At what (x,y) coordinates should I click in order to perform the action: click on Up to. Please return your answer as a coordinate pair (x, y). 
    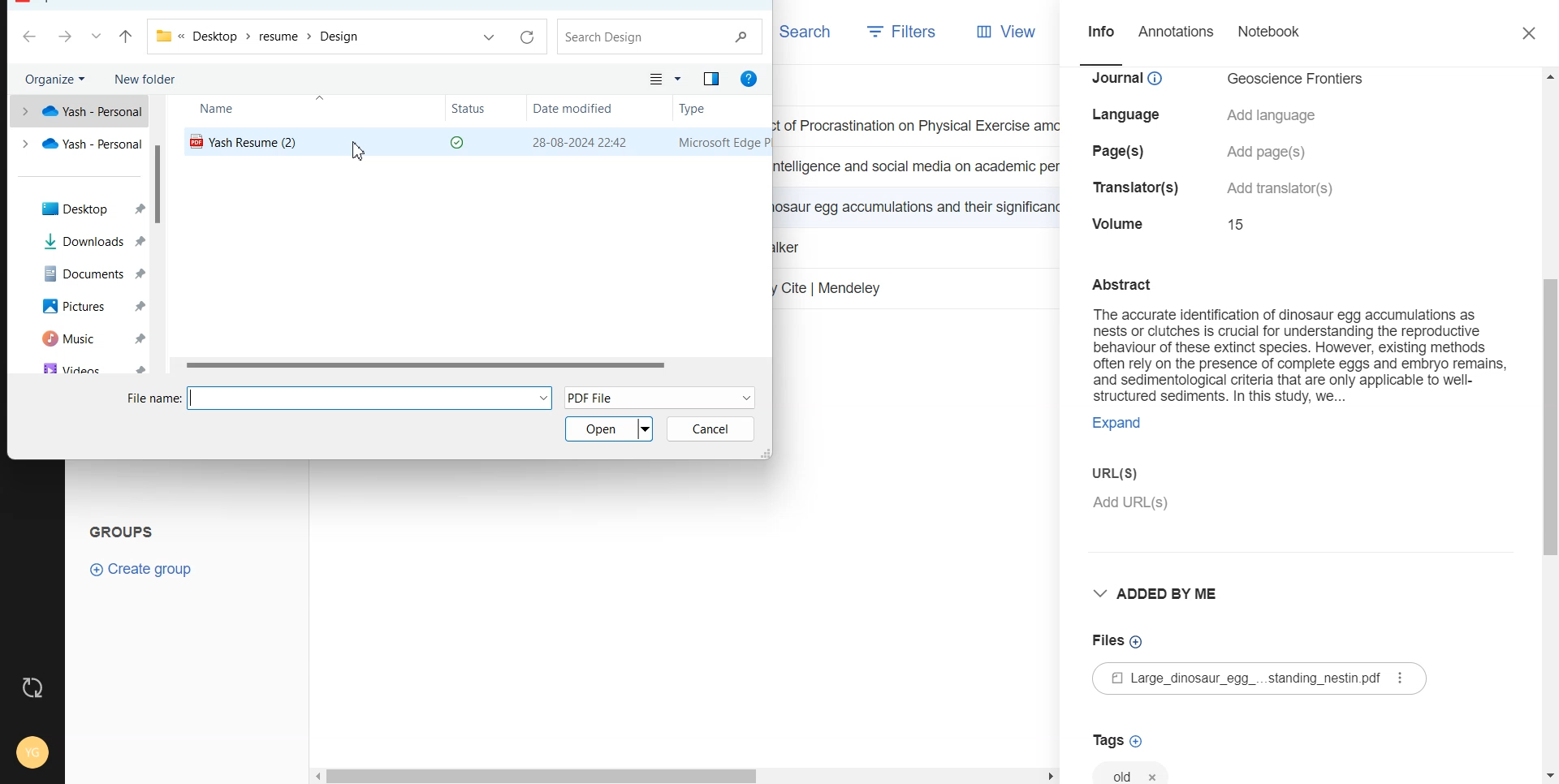
    Looking at the image, I should click on (126, 38).